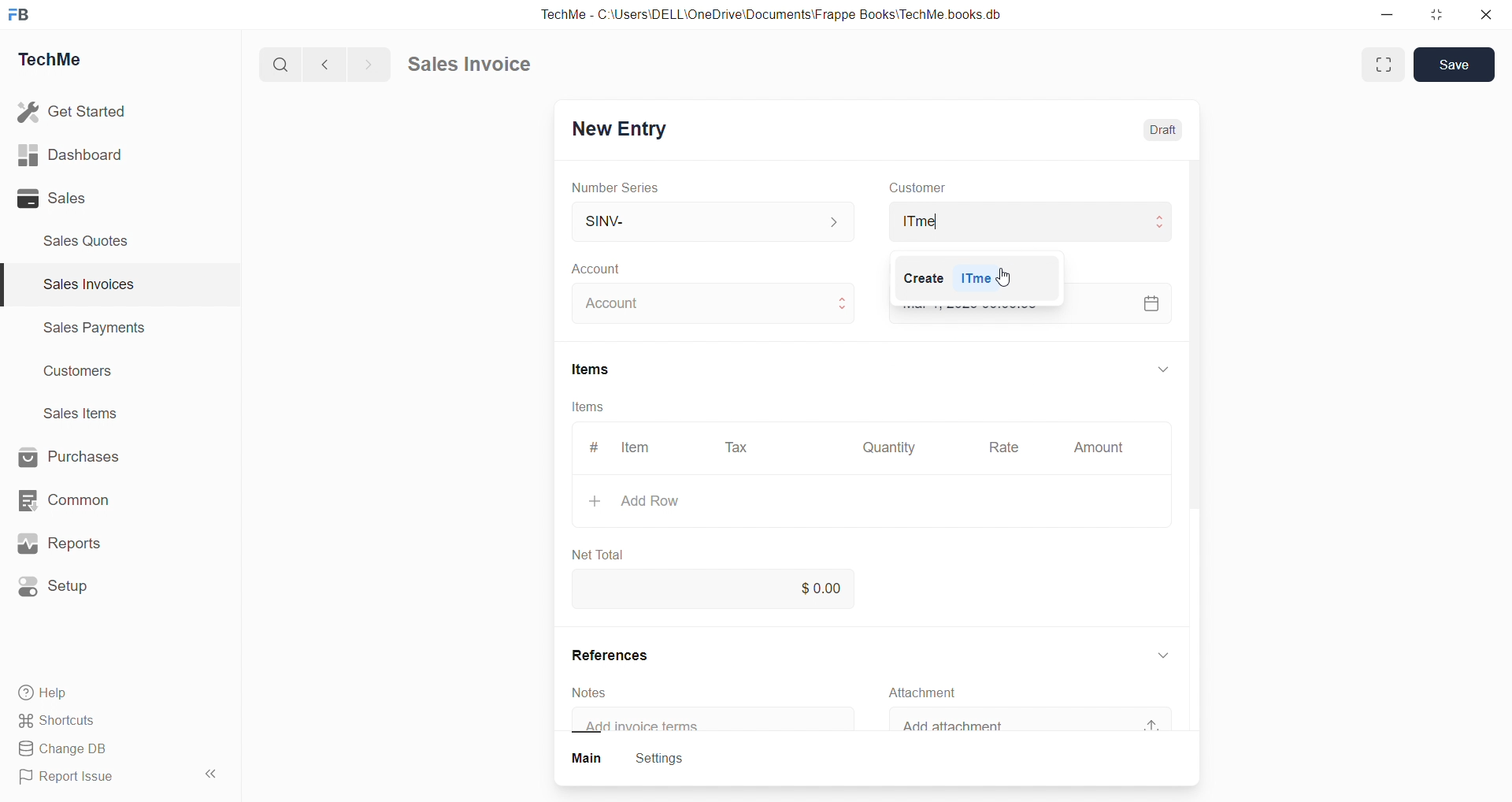 This screenshot has width=1512, height=802. I want to click on Account, so click(621, 270).